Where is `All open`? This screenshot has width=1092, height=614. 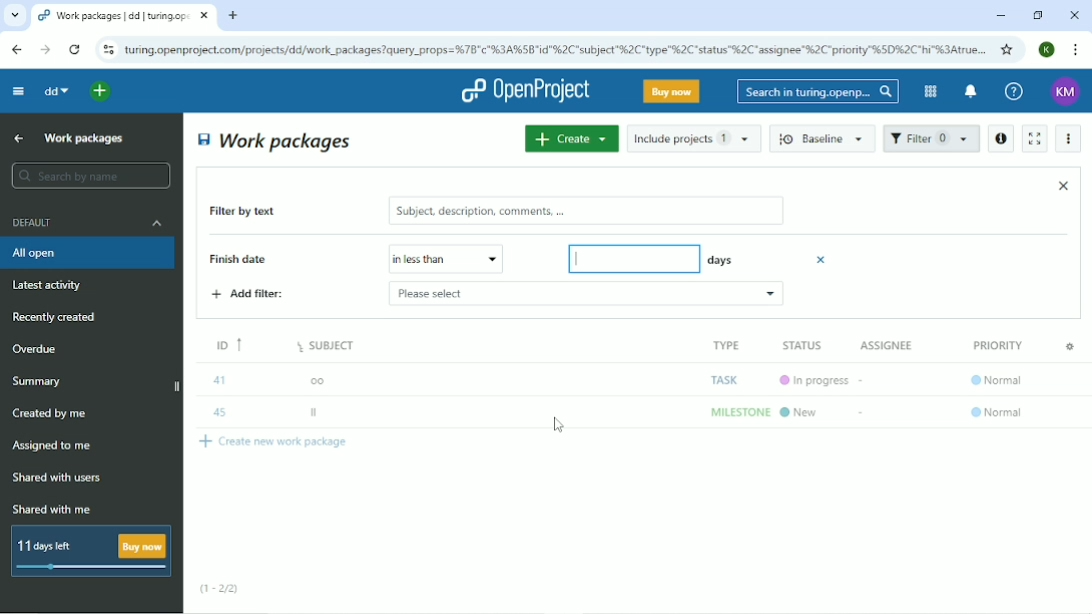
All open is located at coordinates (90, 253).